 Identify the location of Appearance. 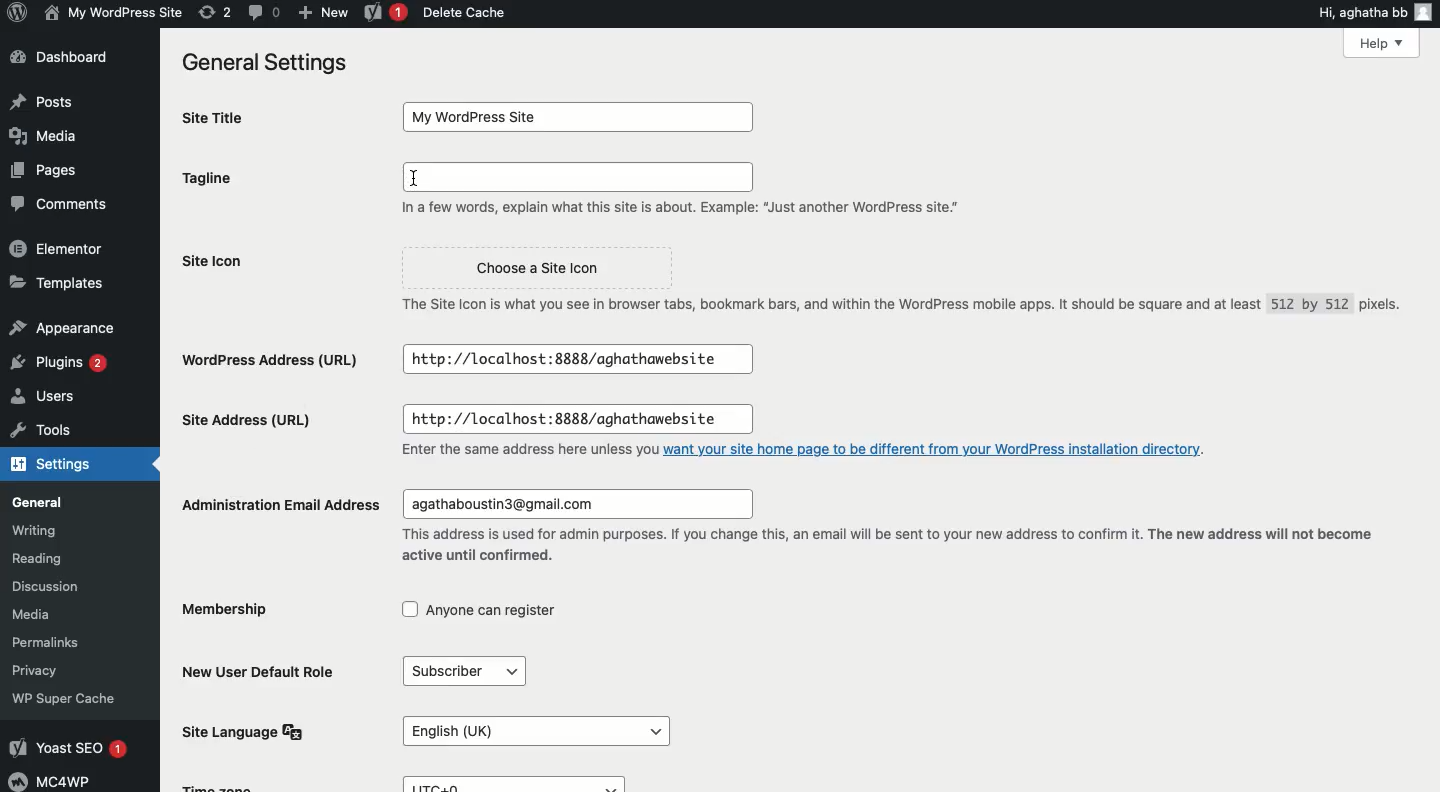
(62, 324).